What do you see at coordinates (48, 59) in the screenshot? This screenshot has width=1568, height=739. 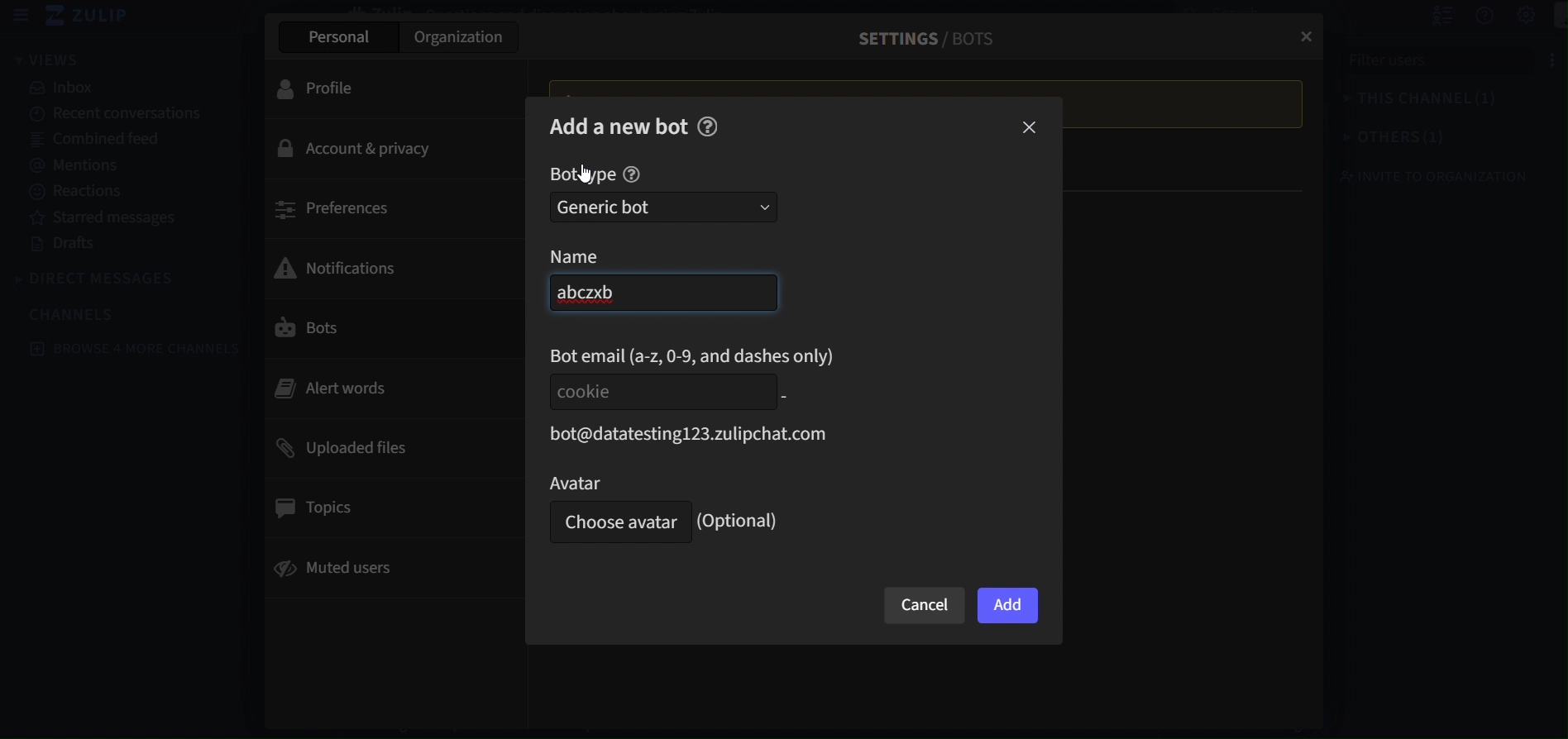 I see `view` at bounding box center [48, 59].